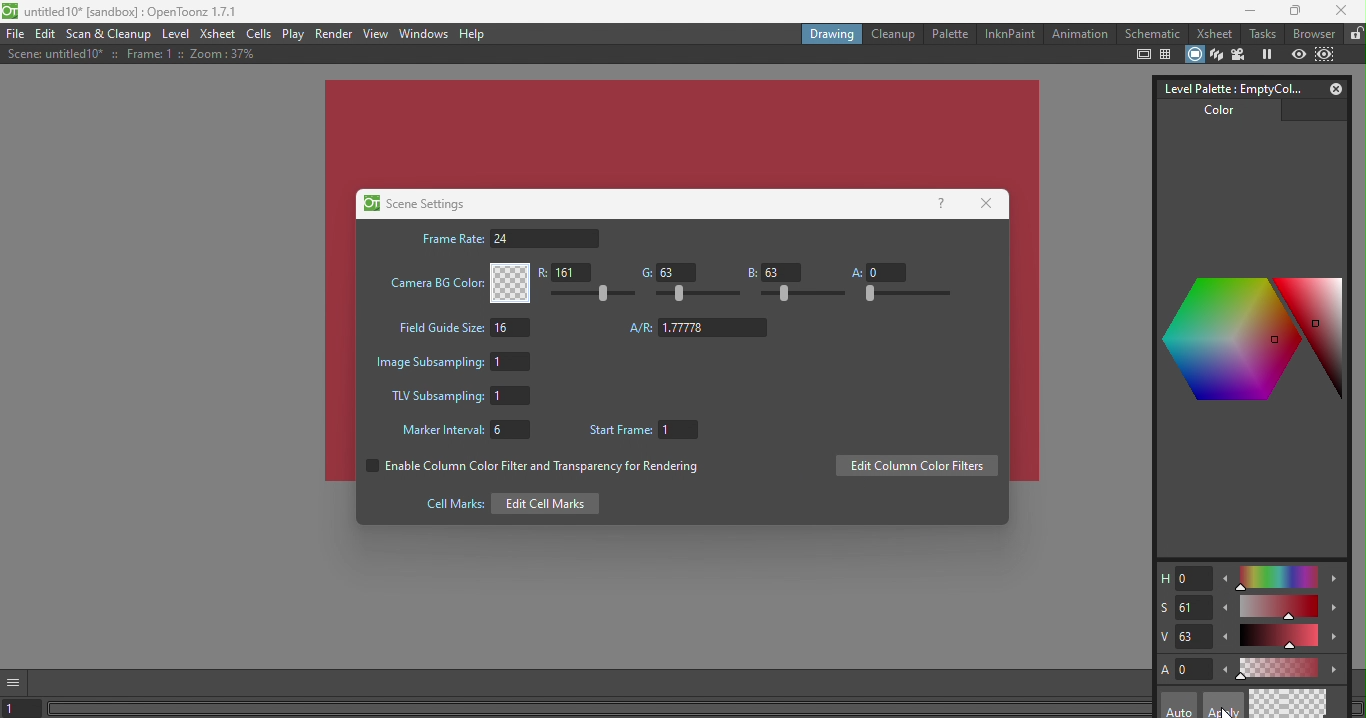 This screenshot has width=1366, height=718. What do you see at coordinates (113, 34) in the screenshot?
I see `Scan & Cleanup` at bounding box center [113, 34].